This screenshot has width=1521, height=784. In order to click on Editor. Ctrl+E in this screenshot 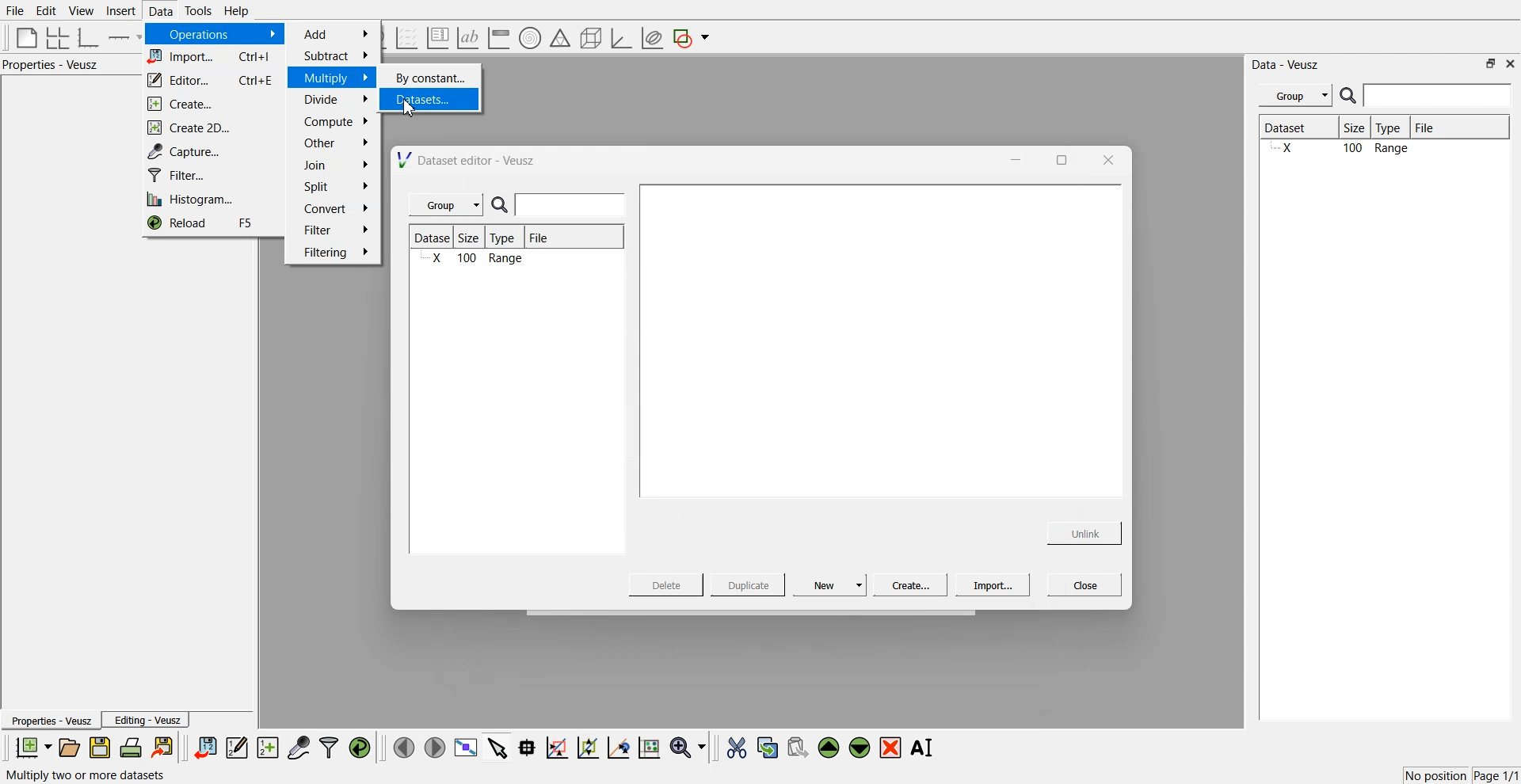, I will do `click(212, 81)`.